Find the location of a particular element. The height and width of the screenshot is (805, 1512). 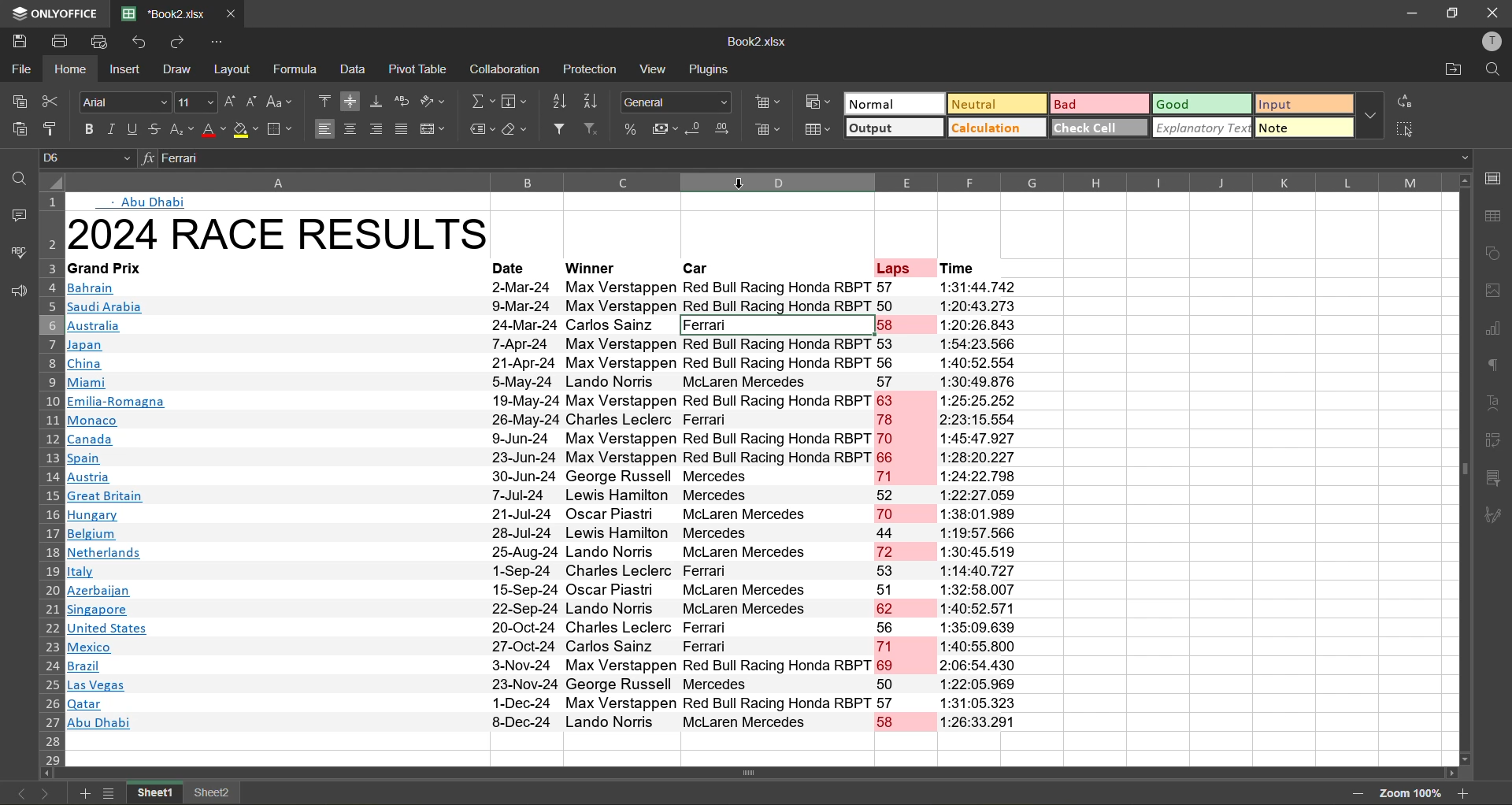

format as table is located at coordinates (821, 128).